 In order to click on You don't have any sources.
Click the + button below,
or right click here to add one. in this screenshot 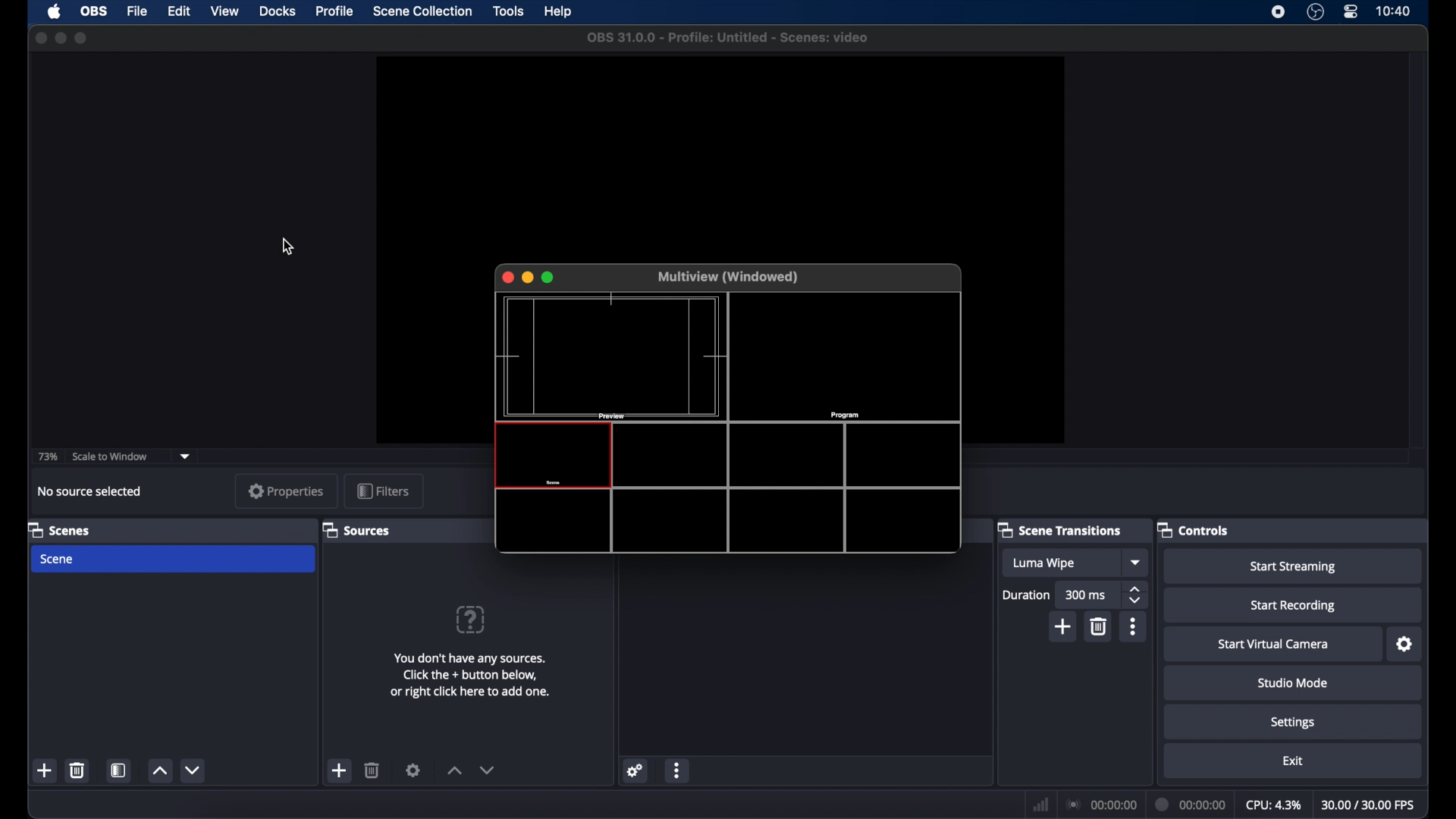, I will do `click(472, 671)`.